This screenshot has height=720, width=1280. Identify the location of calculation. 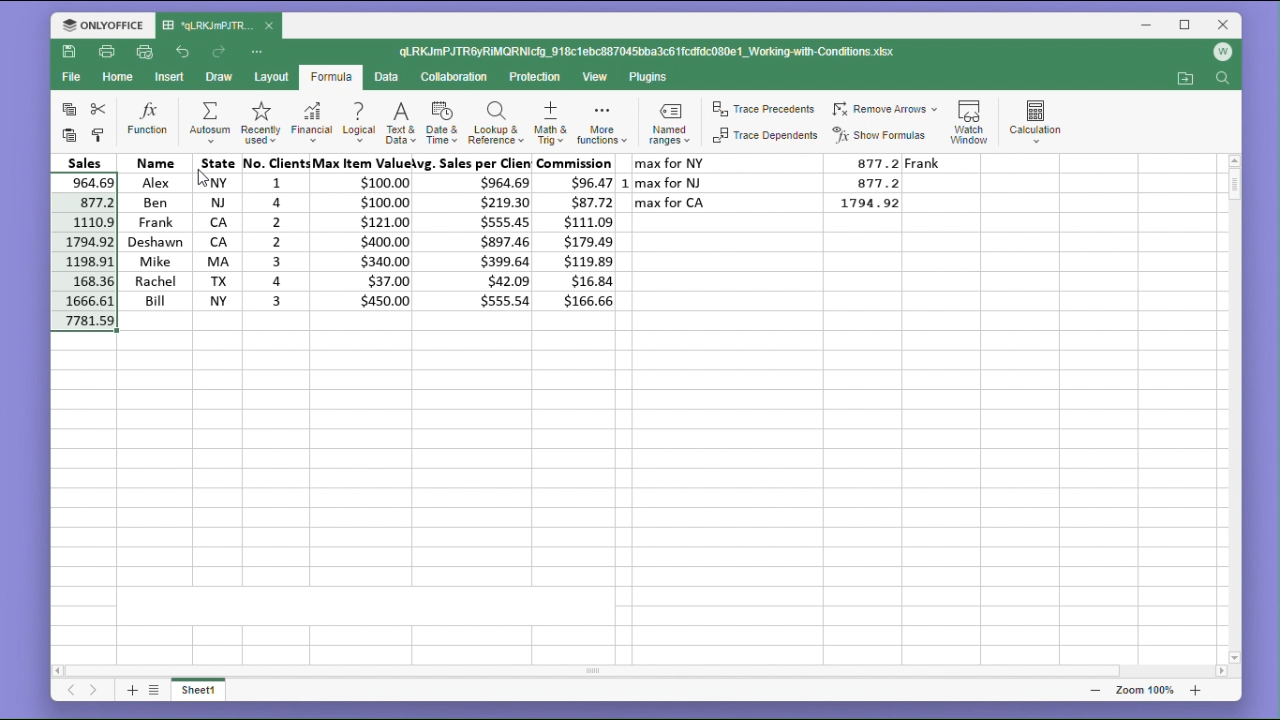
(1041, 118).